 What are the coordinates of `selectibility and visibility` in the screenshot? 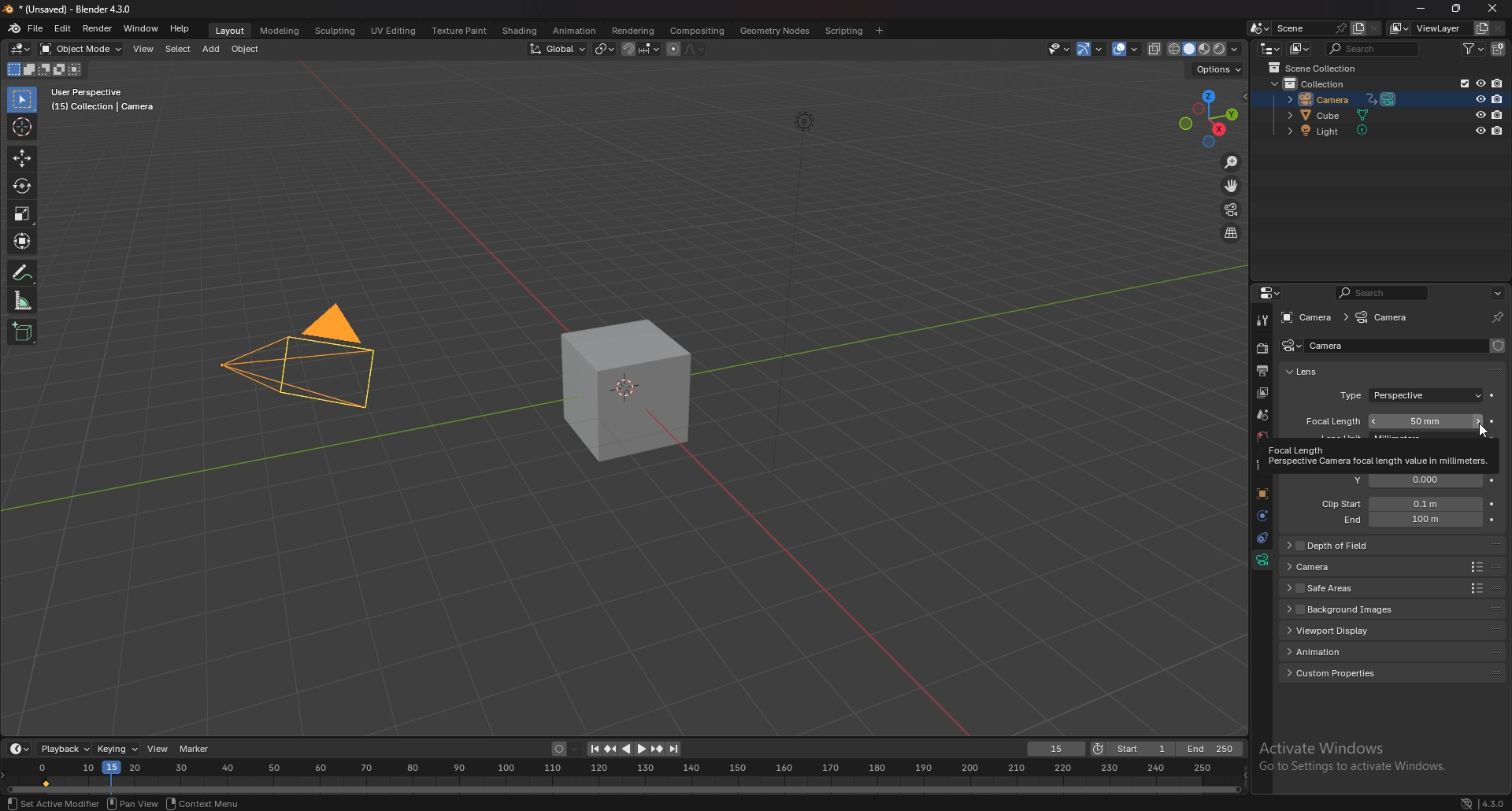 It's located at (1058, 49).